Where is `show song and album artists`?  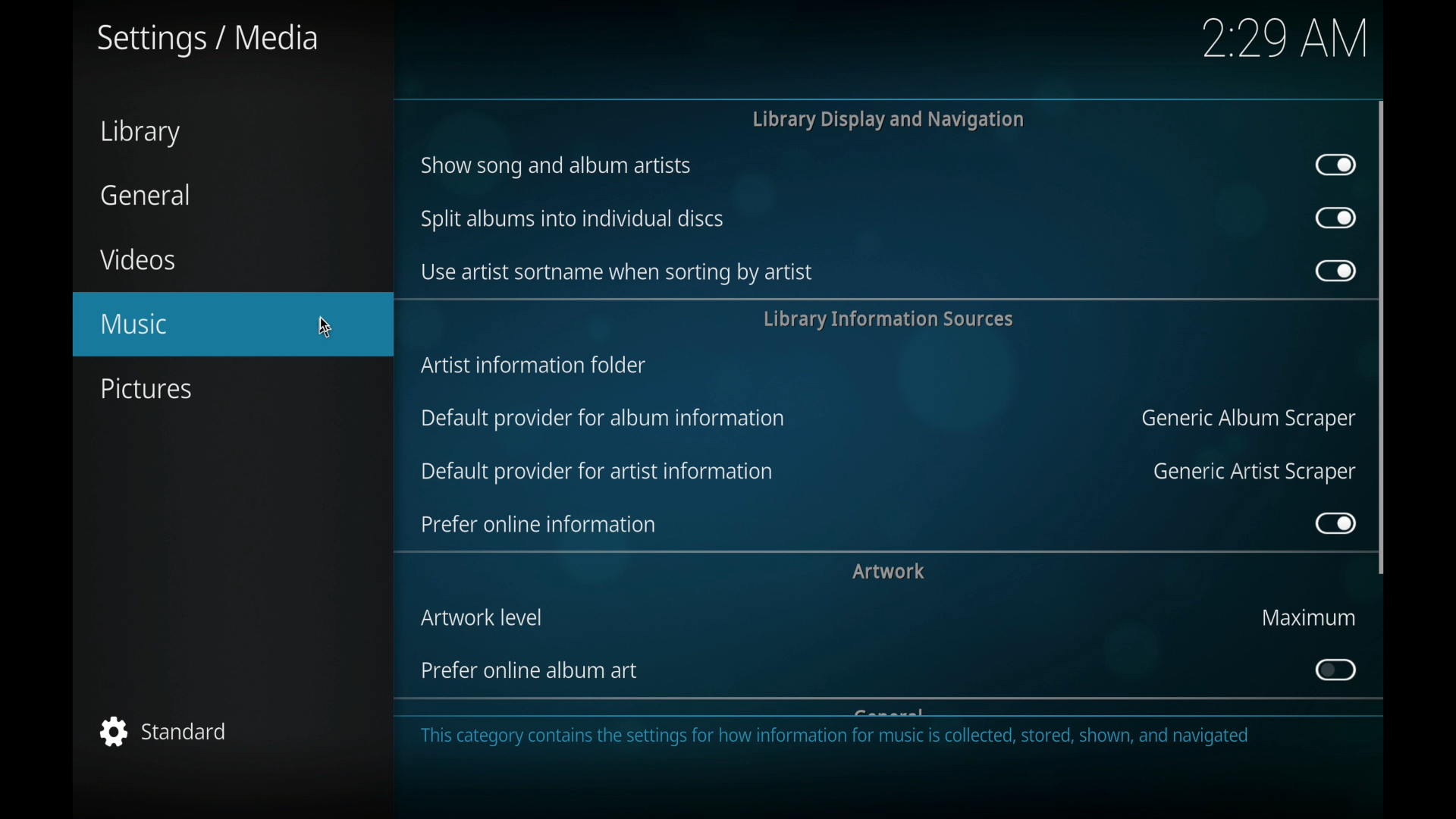 show song and album artists is located at coordinates (556, 168).